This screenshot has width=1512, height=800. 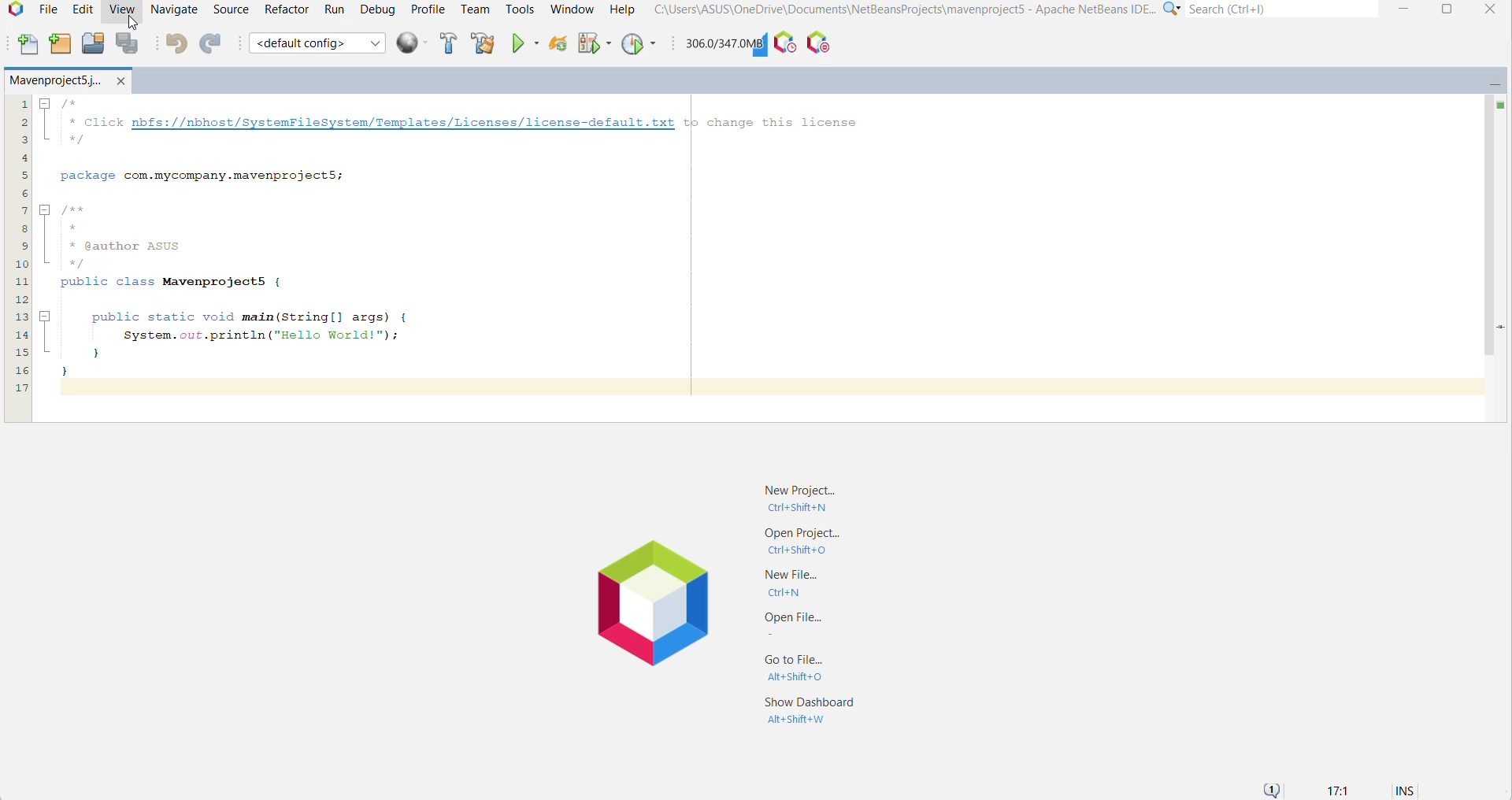 I want to click on New File, so click(x=791, y=583).